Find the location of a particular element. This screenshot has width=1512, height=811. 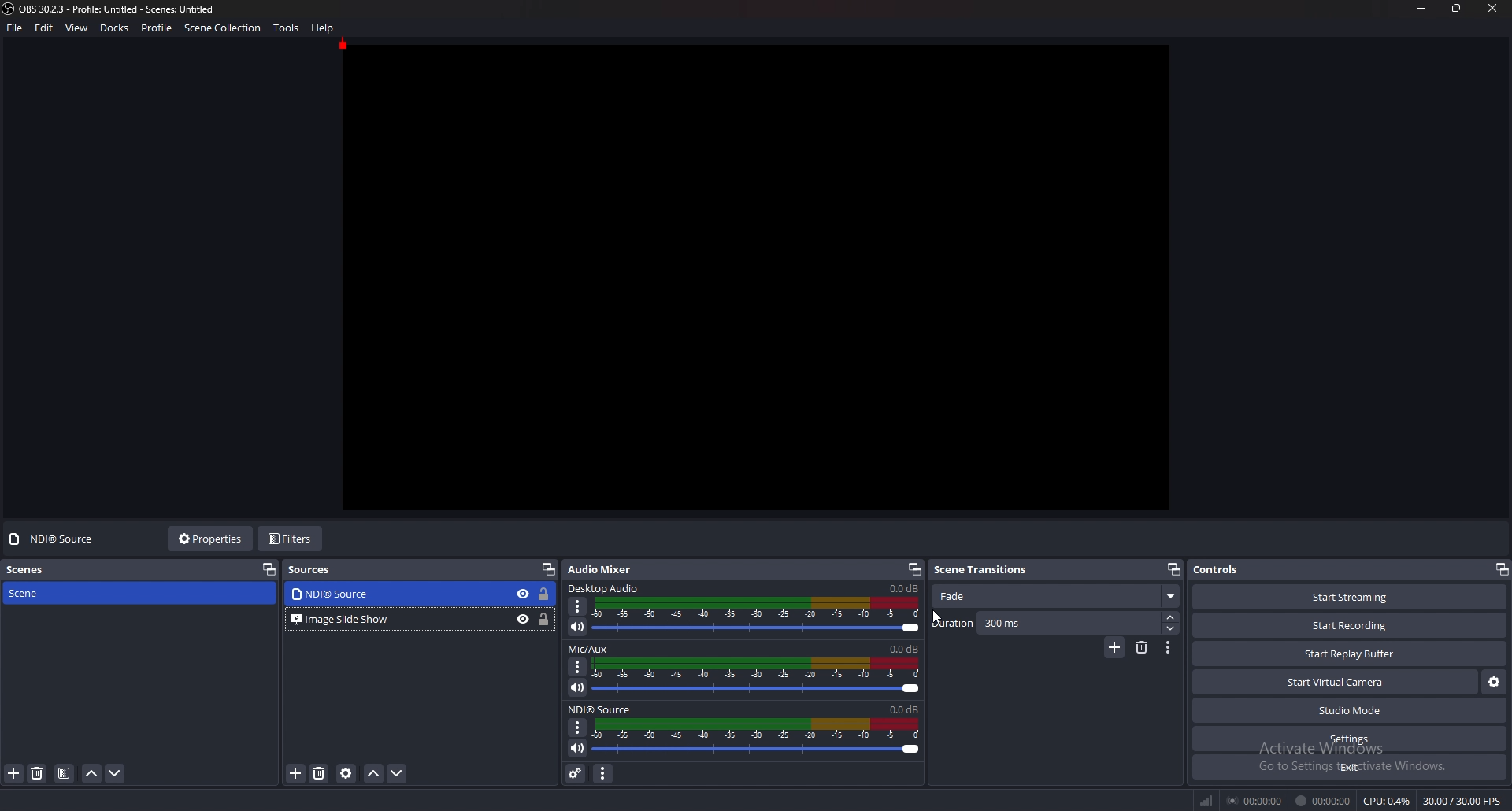

move scene down is located at coordinates (114, 773).